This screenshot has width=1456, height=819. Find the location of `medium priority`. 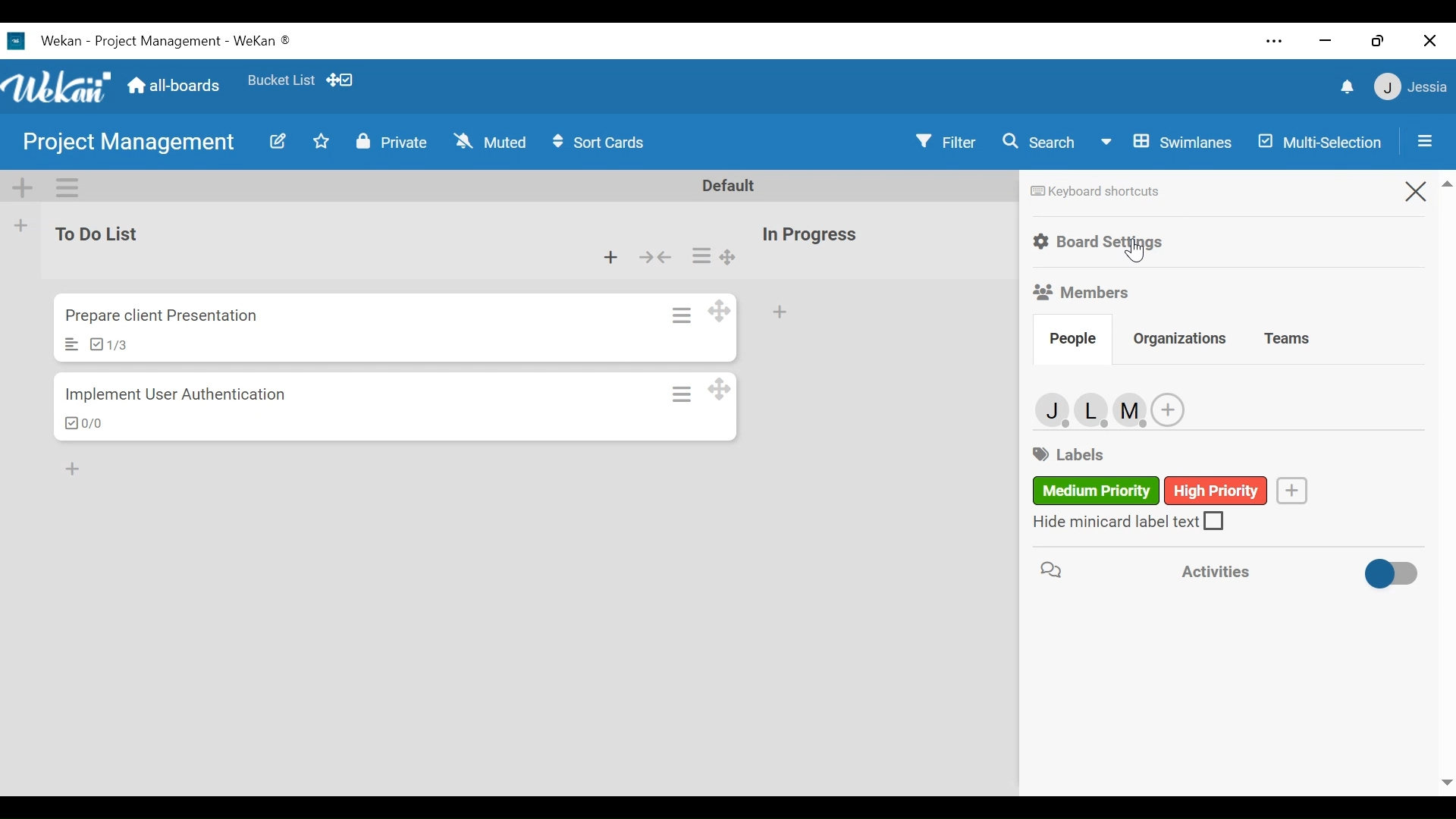

medium priority is located at coordinates (1096, 491).